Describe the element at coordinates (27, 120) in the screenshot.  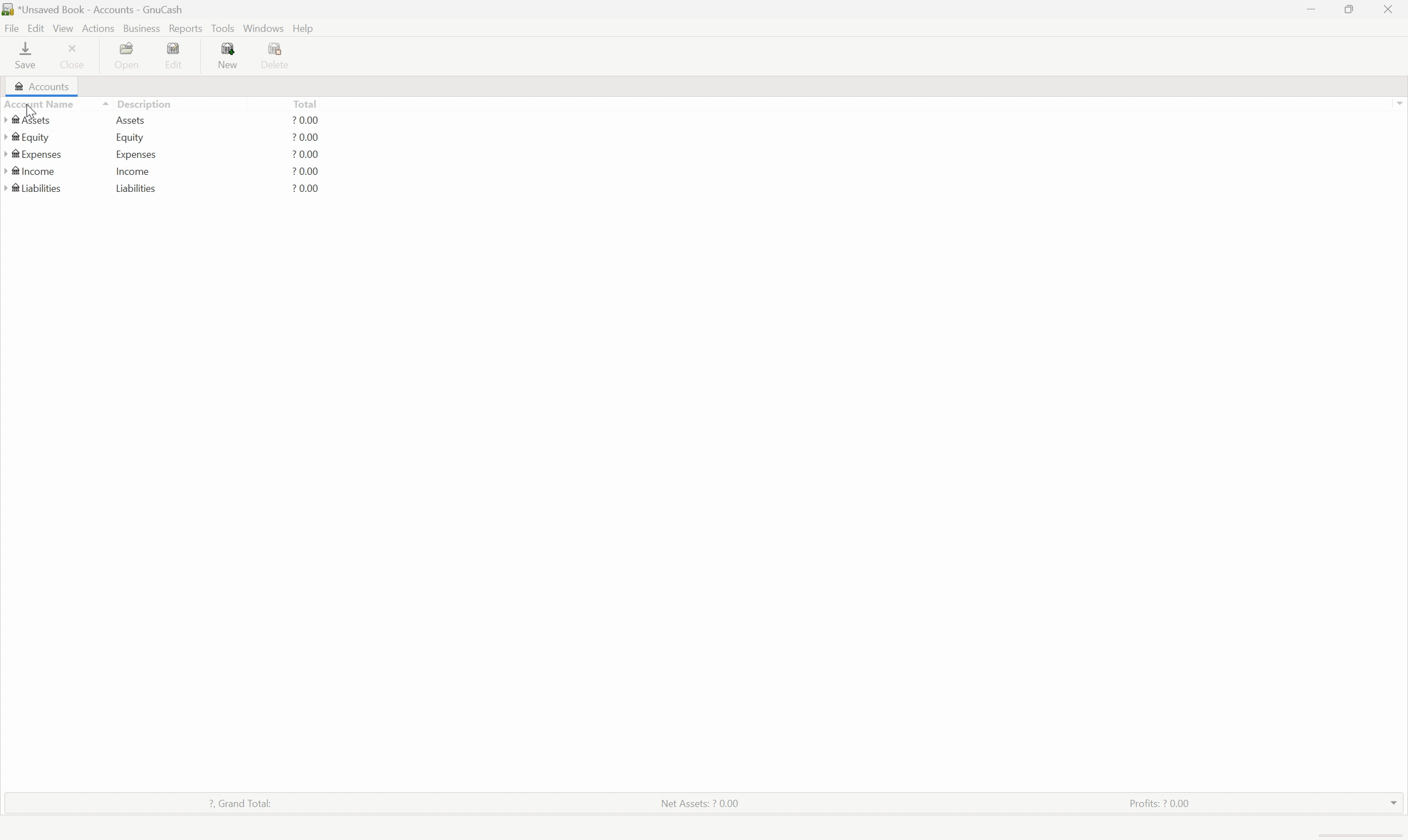
I see `Assets` at that location.